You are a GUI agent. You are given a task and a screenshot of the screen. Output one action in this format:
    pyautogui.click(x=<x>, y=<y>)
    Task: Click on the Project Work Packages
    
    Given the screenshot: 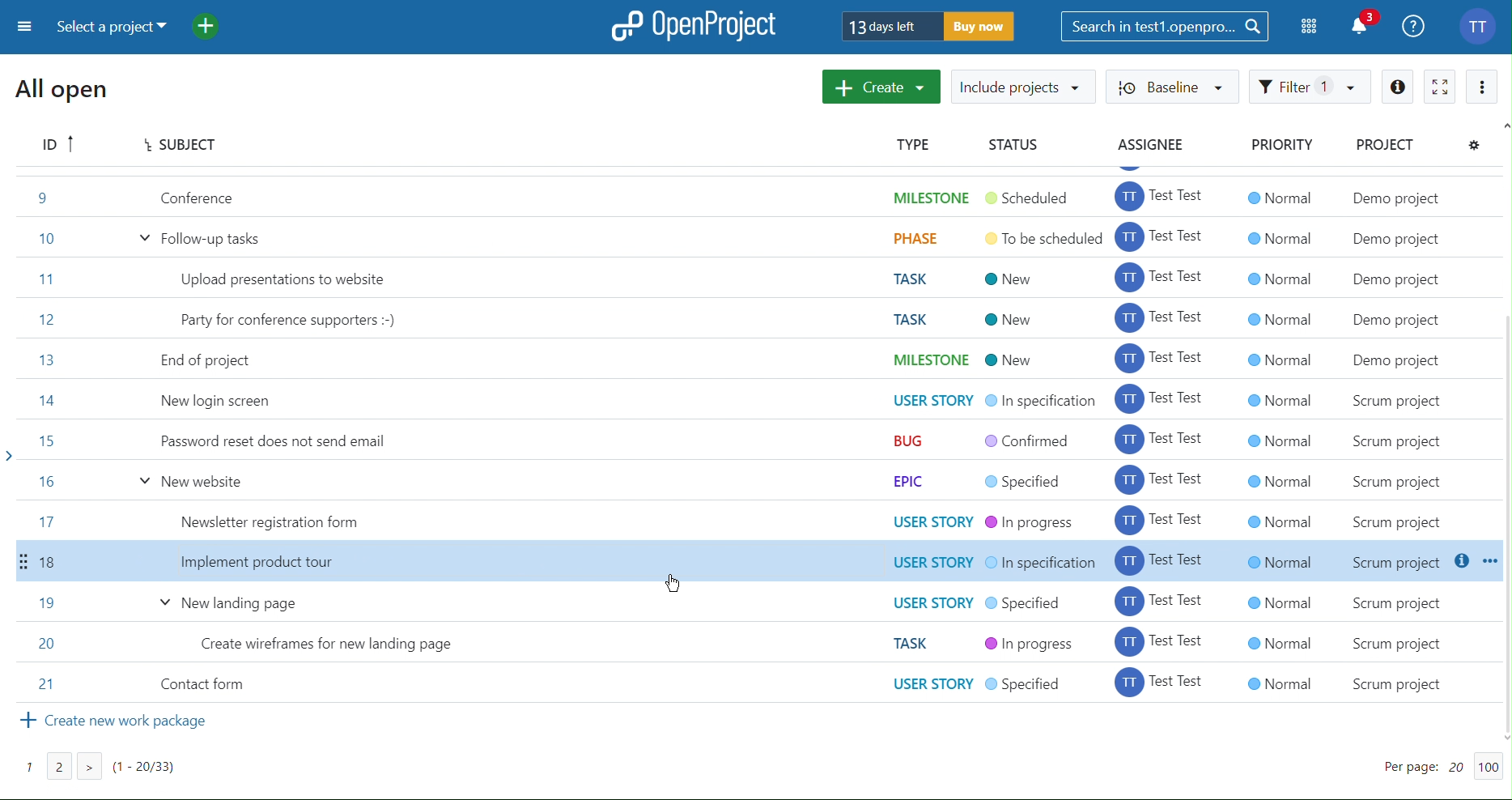 What is the action you would take?
    pyautogui.click(x=414, y=438)
    